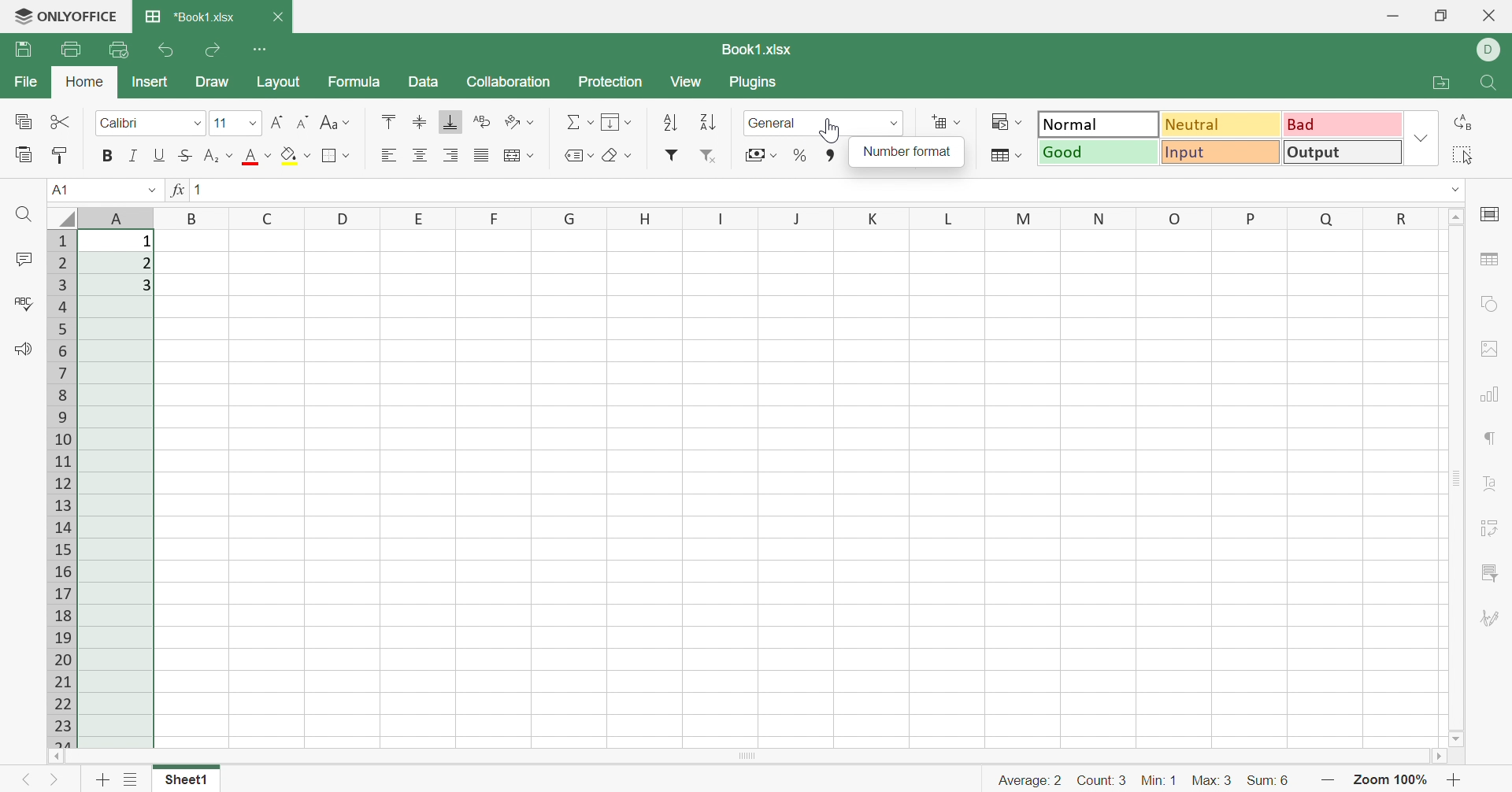 Image resolution: width=1512 pixels, height=792 pixels. What do you see at coordinates (1492, 213) in the screenshot?
I see `Cell settings` at bounding box center [1492, 213].